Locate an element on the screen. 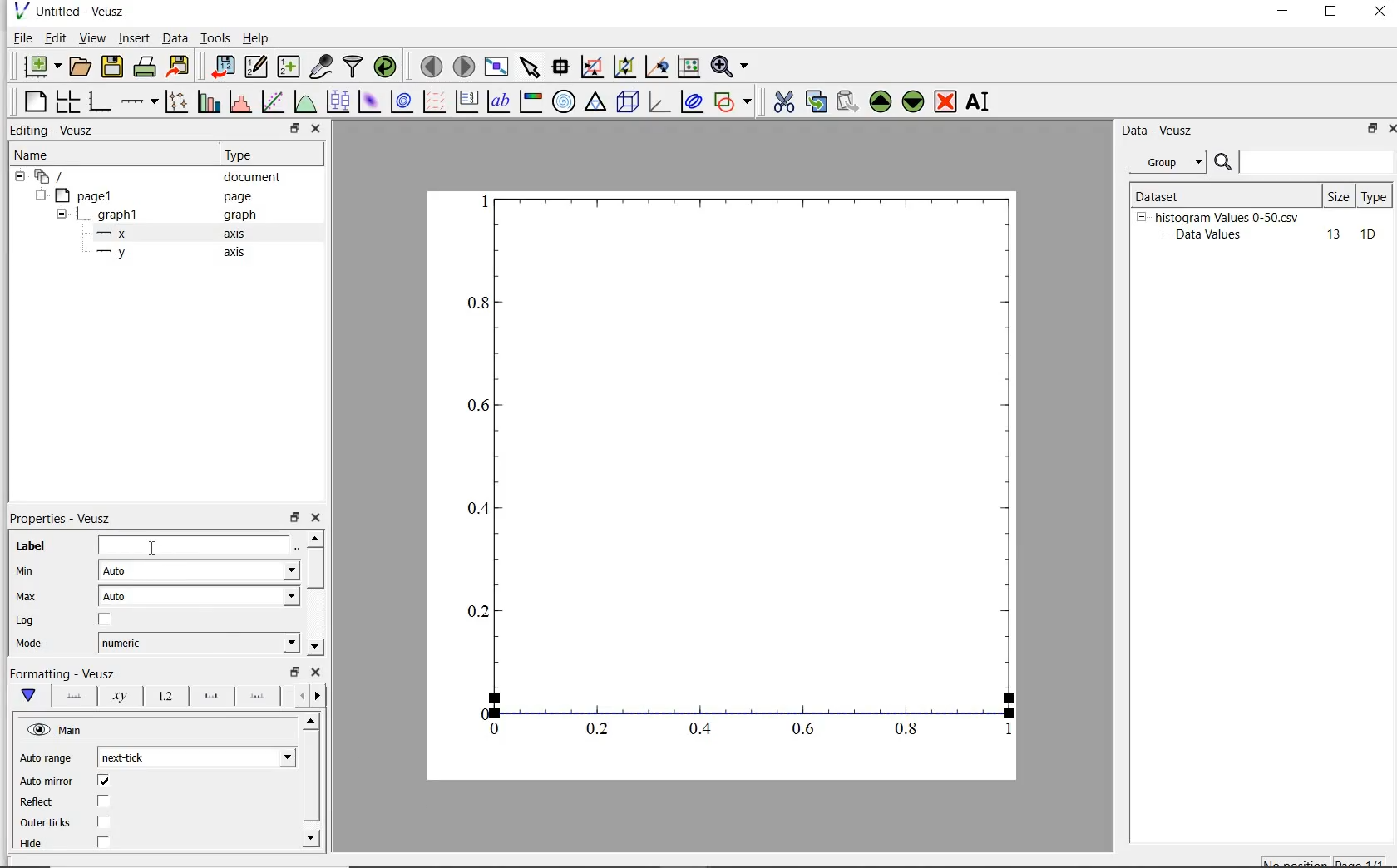  | Outer ticks is located at coordinates (47, 822).